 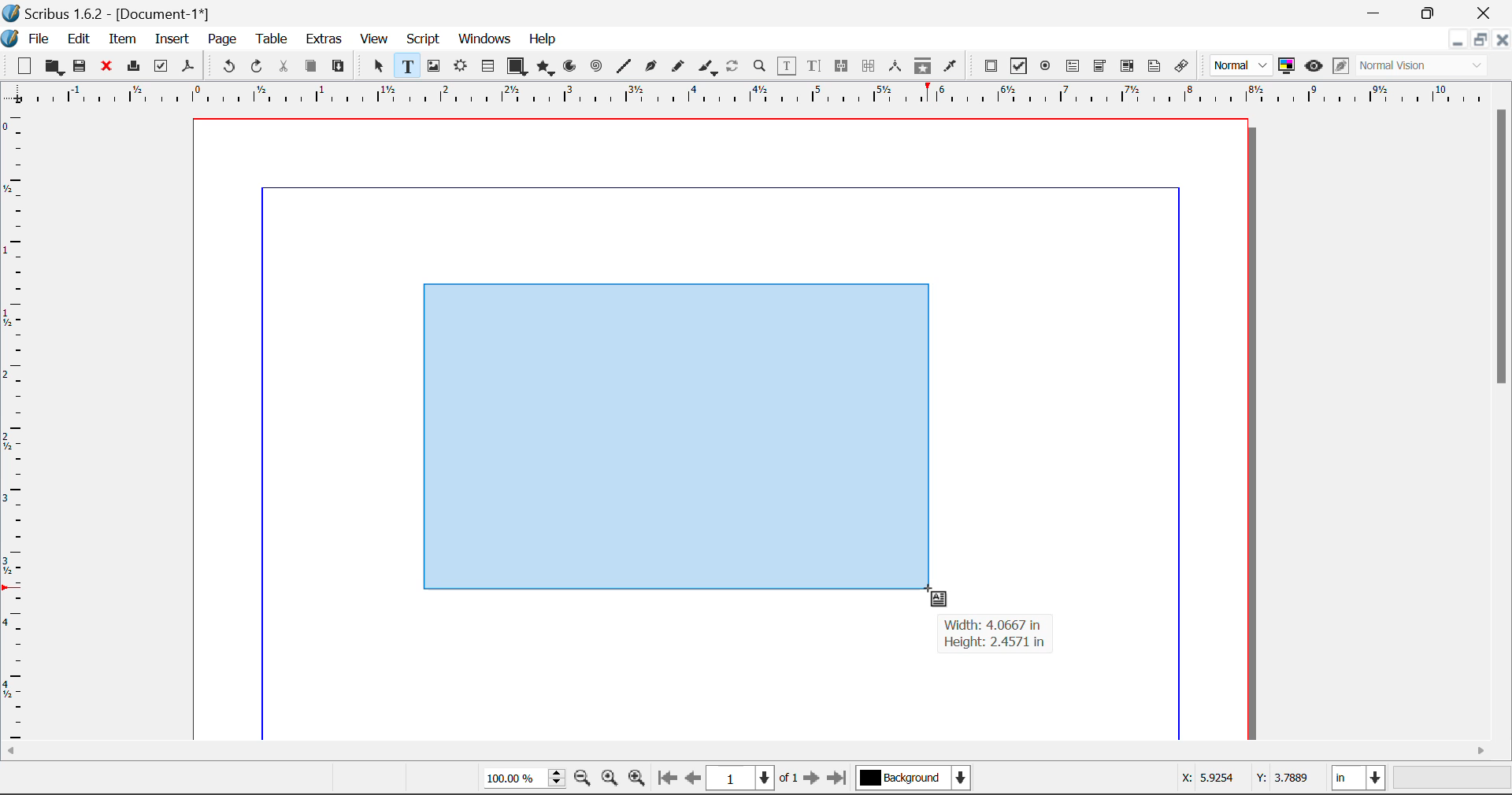 I want to click on Measurements, so click(x=898, y=66).